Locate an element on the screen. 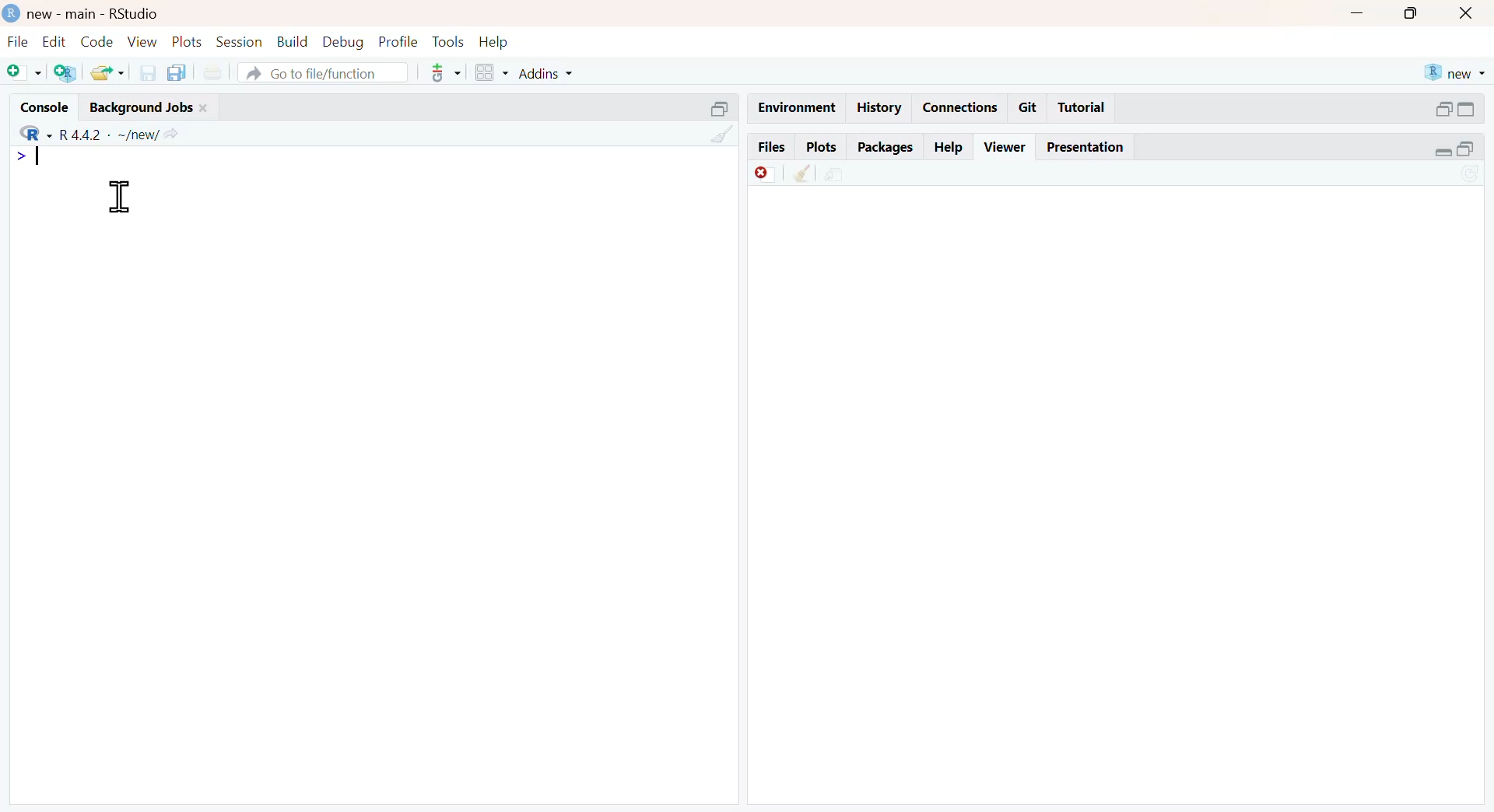  git is located at coordinates (1029, 107).